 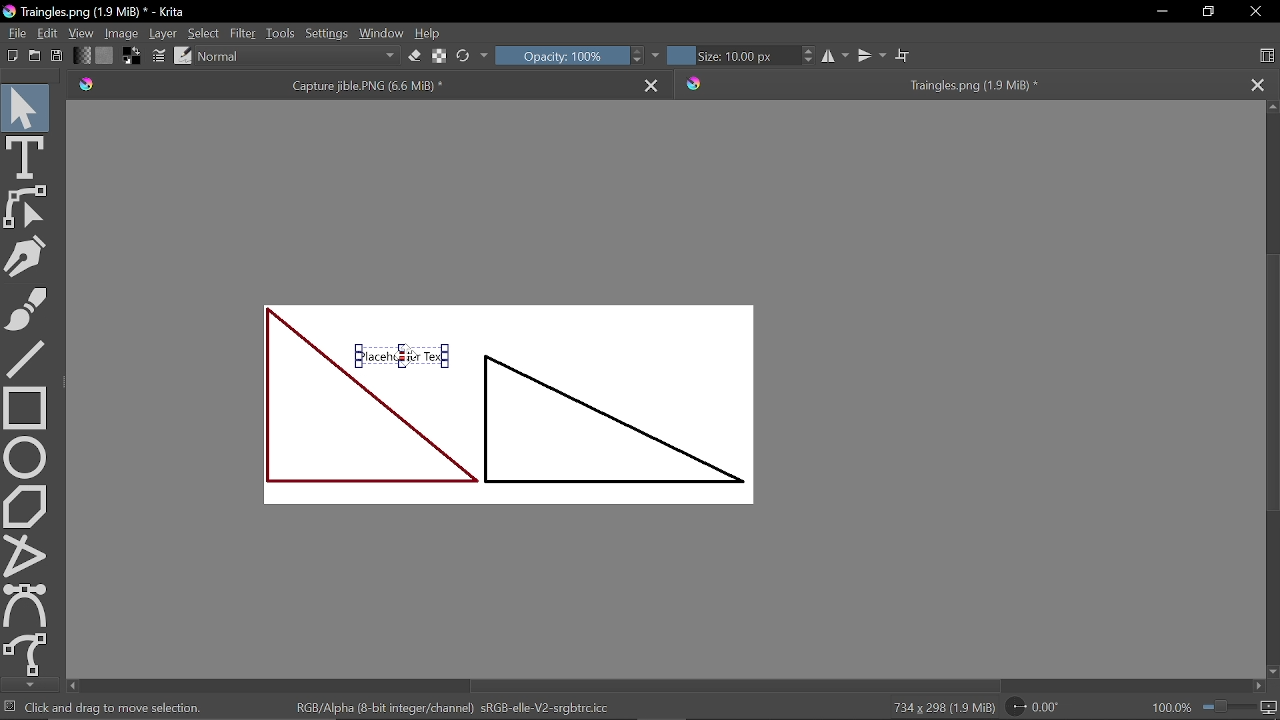 I want to click on Vertical scrollbar, so click(x=1272, y=389).